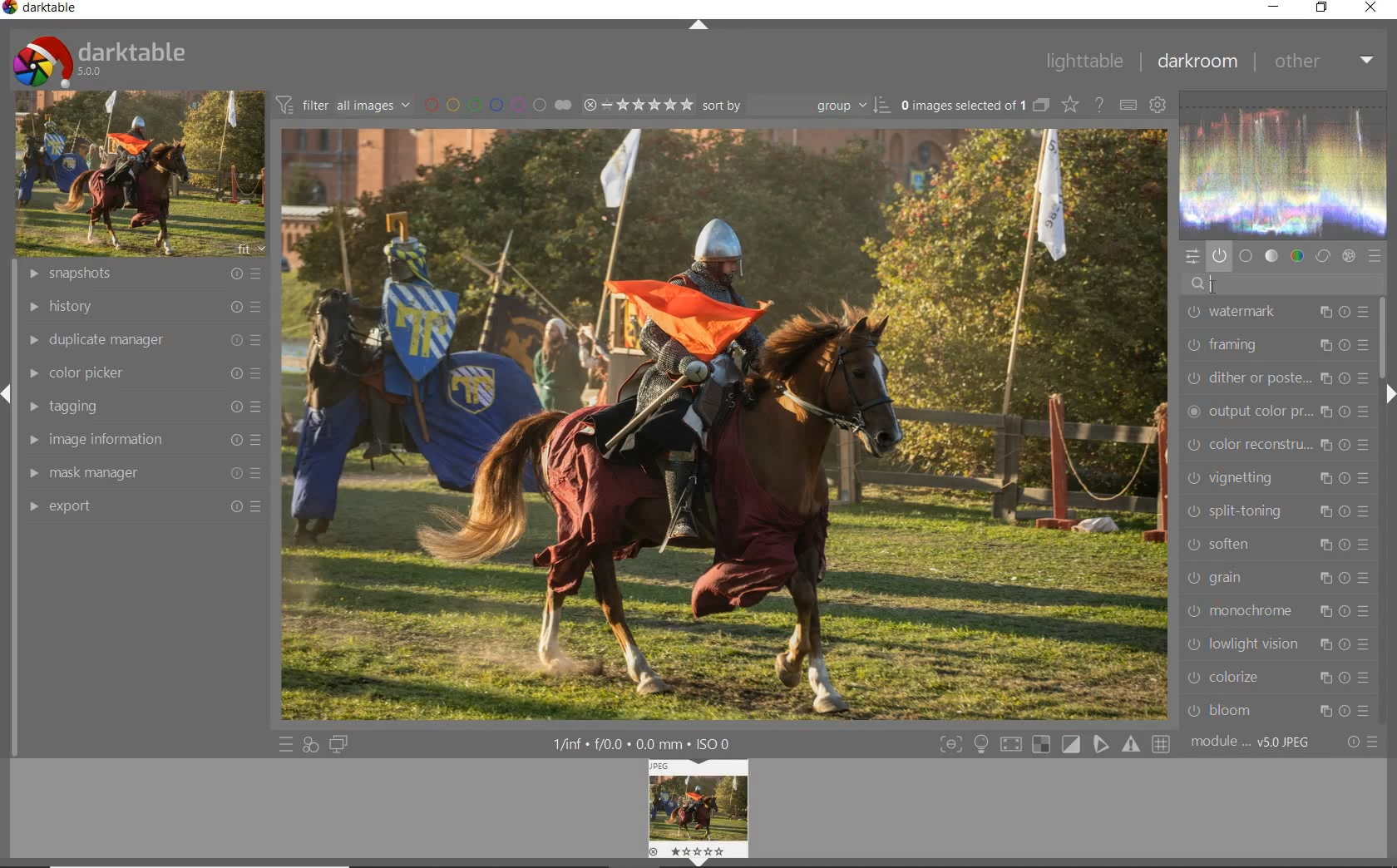 This screenshot has height=868, width=1397. What do you see at coordinates (1196, 64) in the screenshot?
I see `darkroom` at bounding box center [1196, 64].